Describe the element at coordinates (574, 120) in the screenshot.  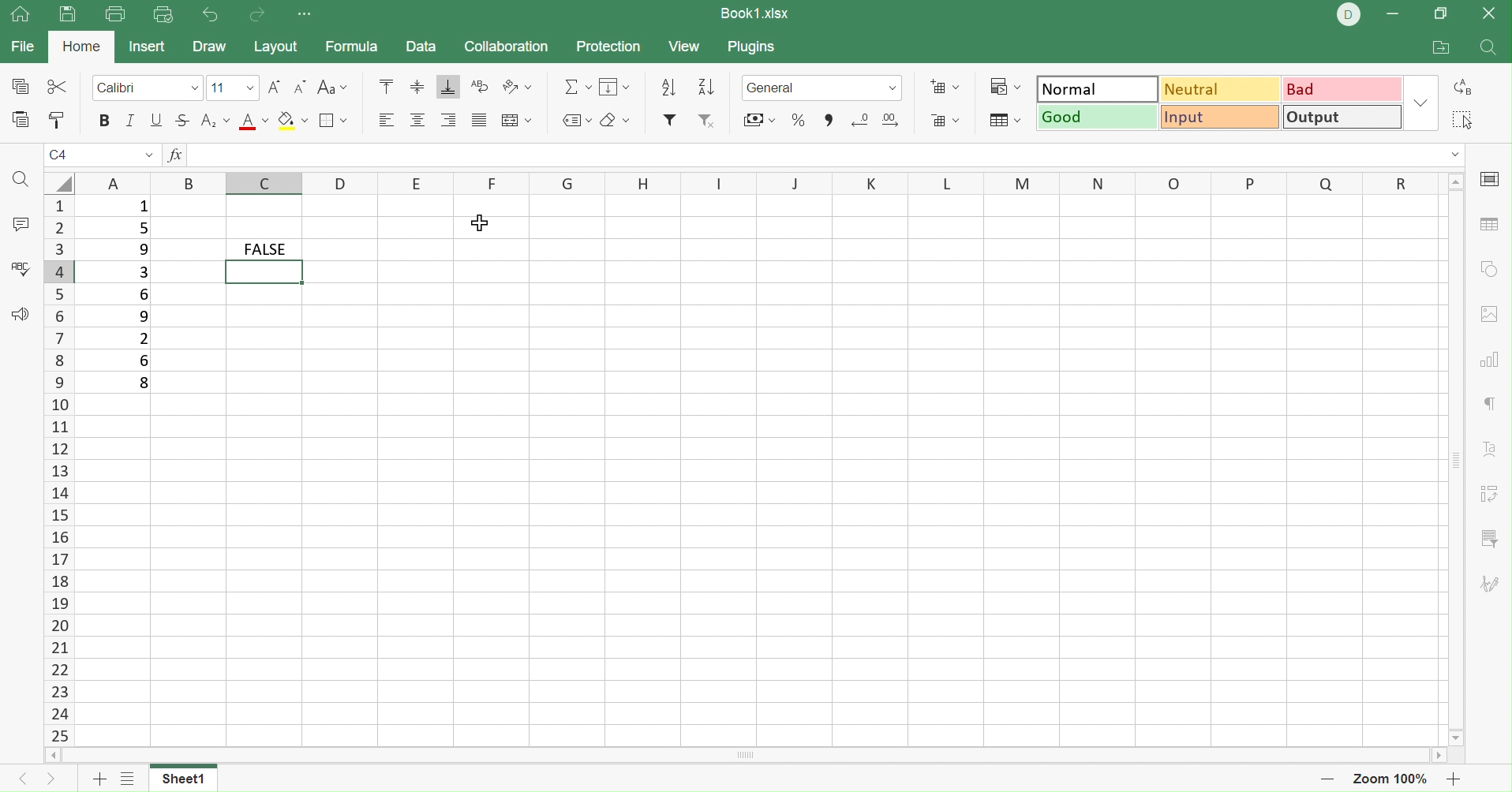
I see `Named ranges` at that location.